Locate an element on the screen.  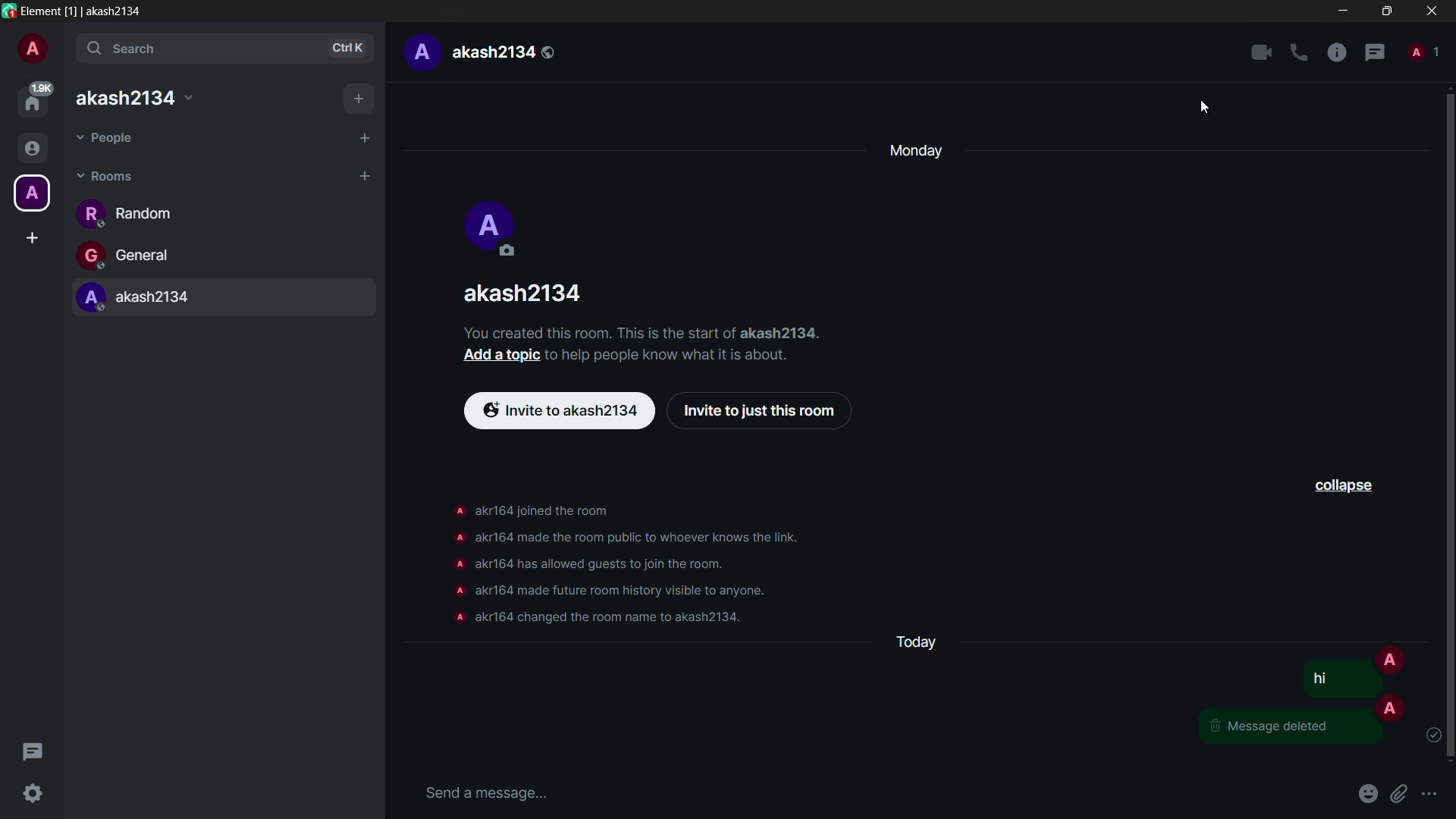
profile icon is located at coordinates (1389, 658).